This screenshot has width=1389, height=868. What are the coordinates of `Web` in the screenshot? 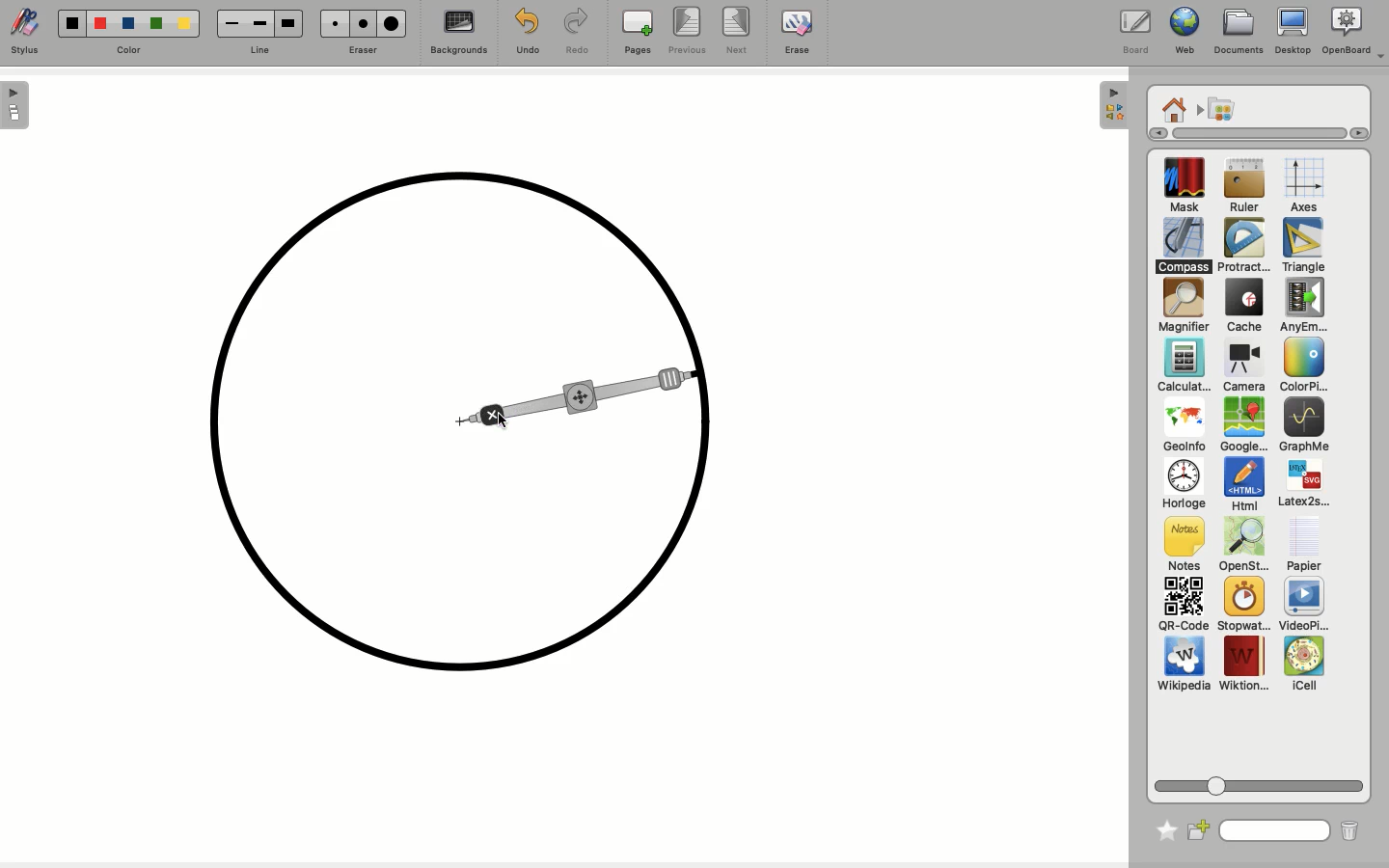 It's located at (1182, 33).